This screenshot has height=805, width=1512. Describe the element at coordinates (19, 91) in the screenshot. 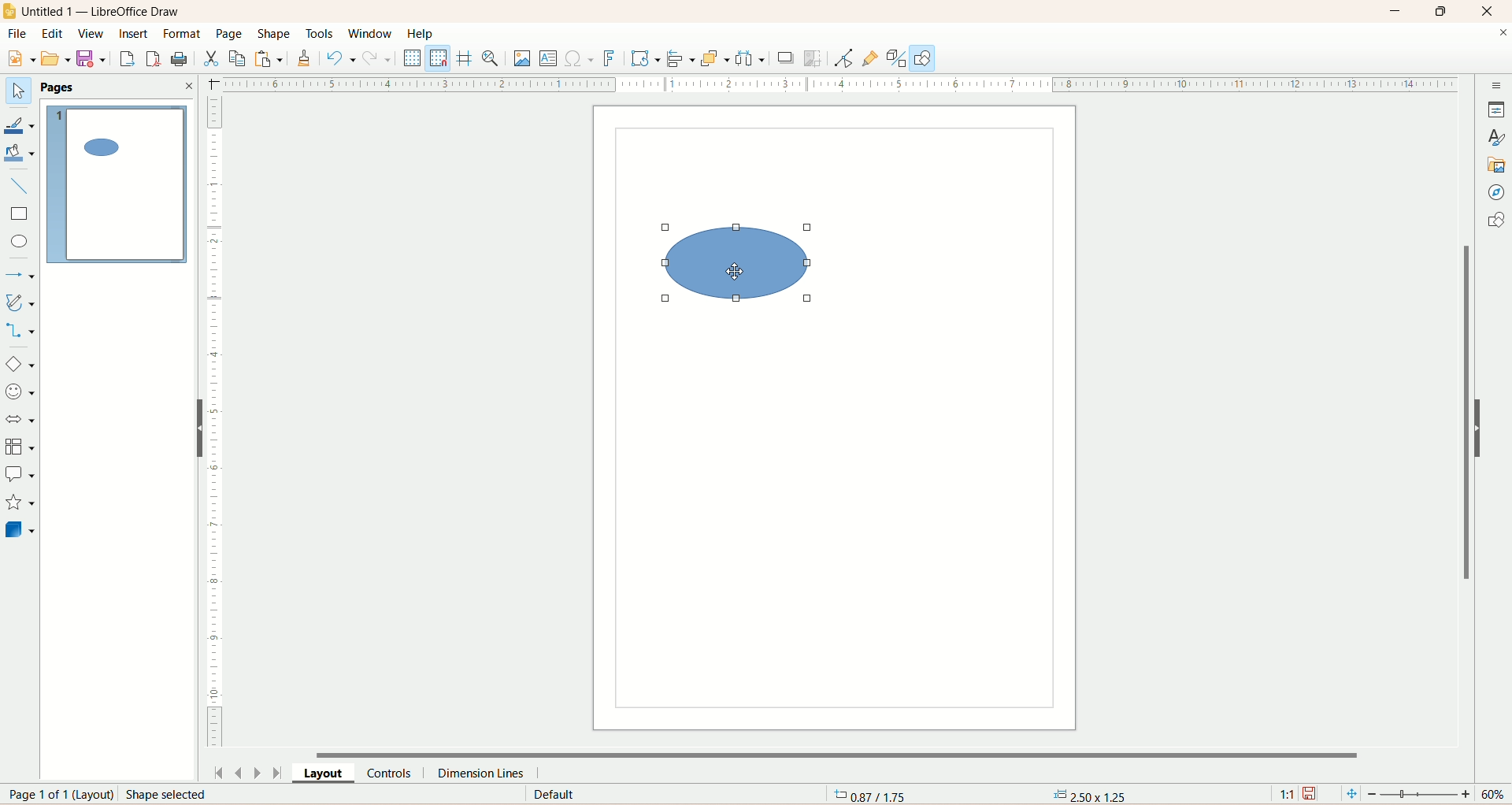

I see `select` at that location.